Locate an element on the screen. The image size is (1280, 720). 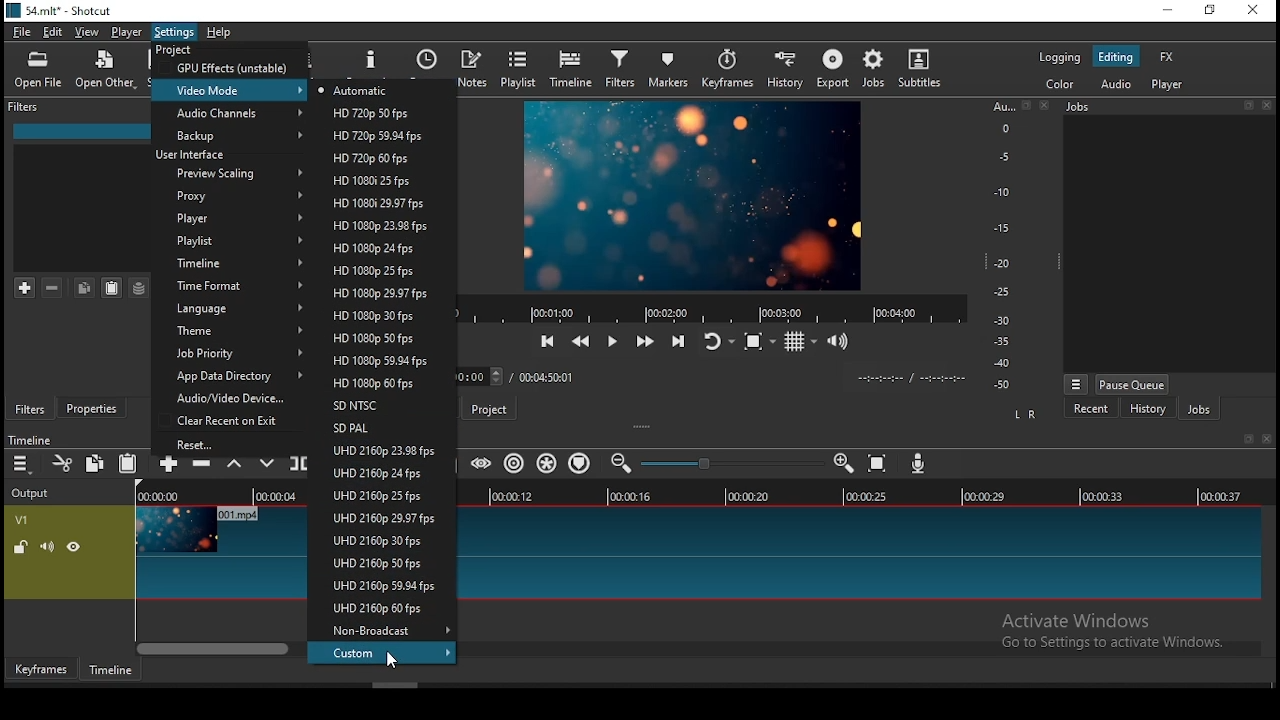
restore is located at coordinates (1246, 440).